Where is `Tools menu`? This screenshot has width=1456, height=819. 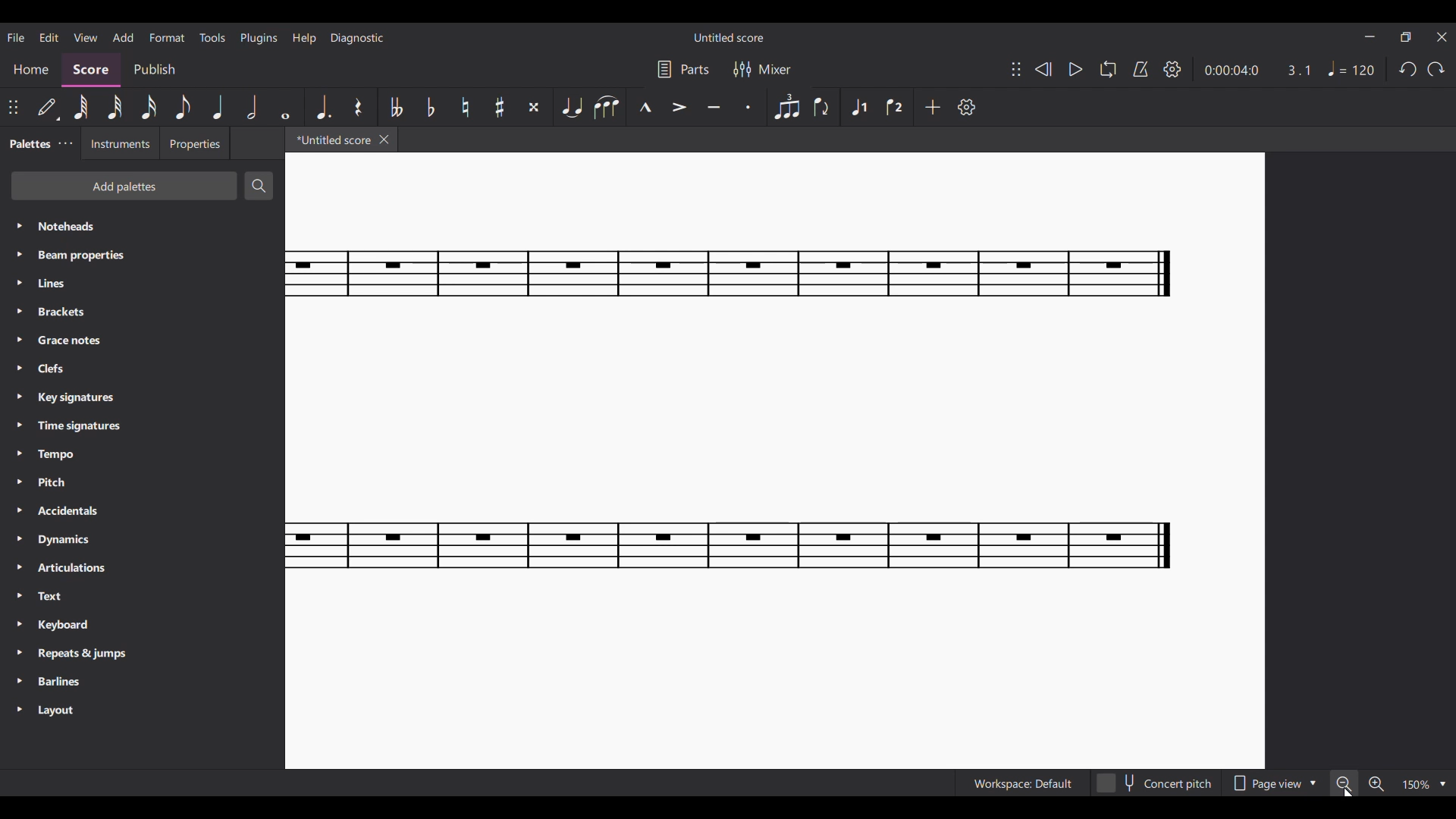
Tools menu is located at coordinates (213, 38).